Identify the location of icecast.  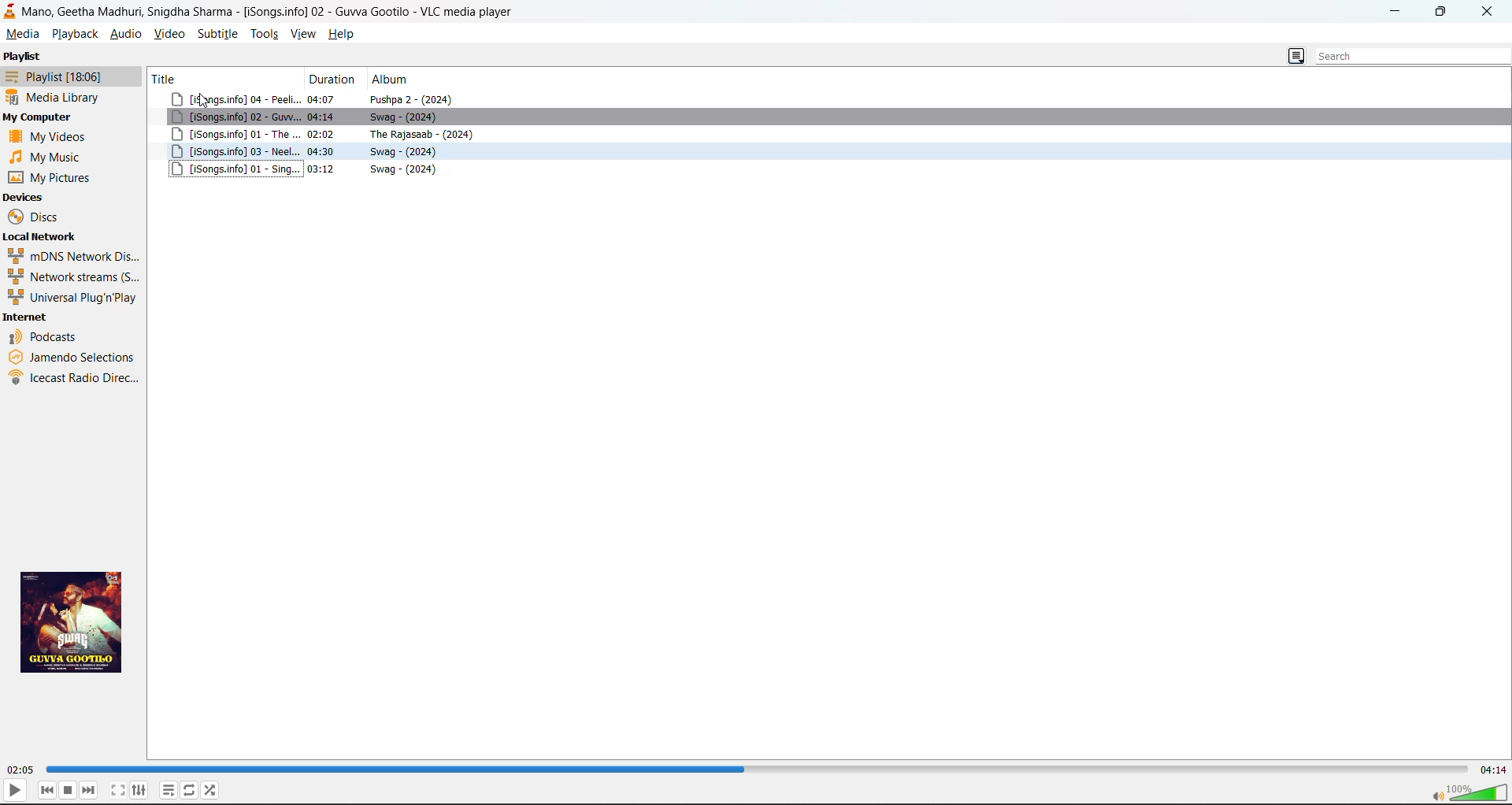
(76, 380).